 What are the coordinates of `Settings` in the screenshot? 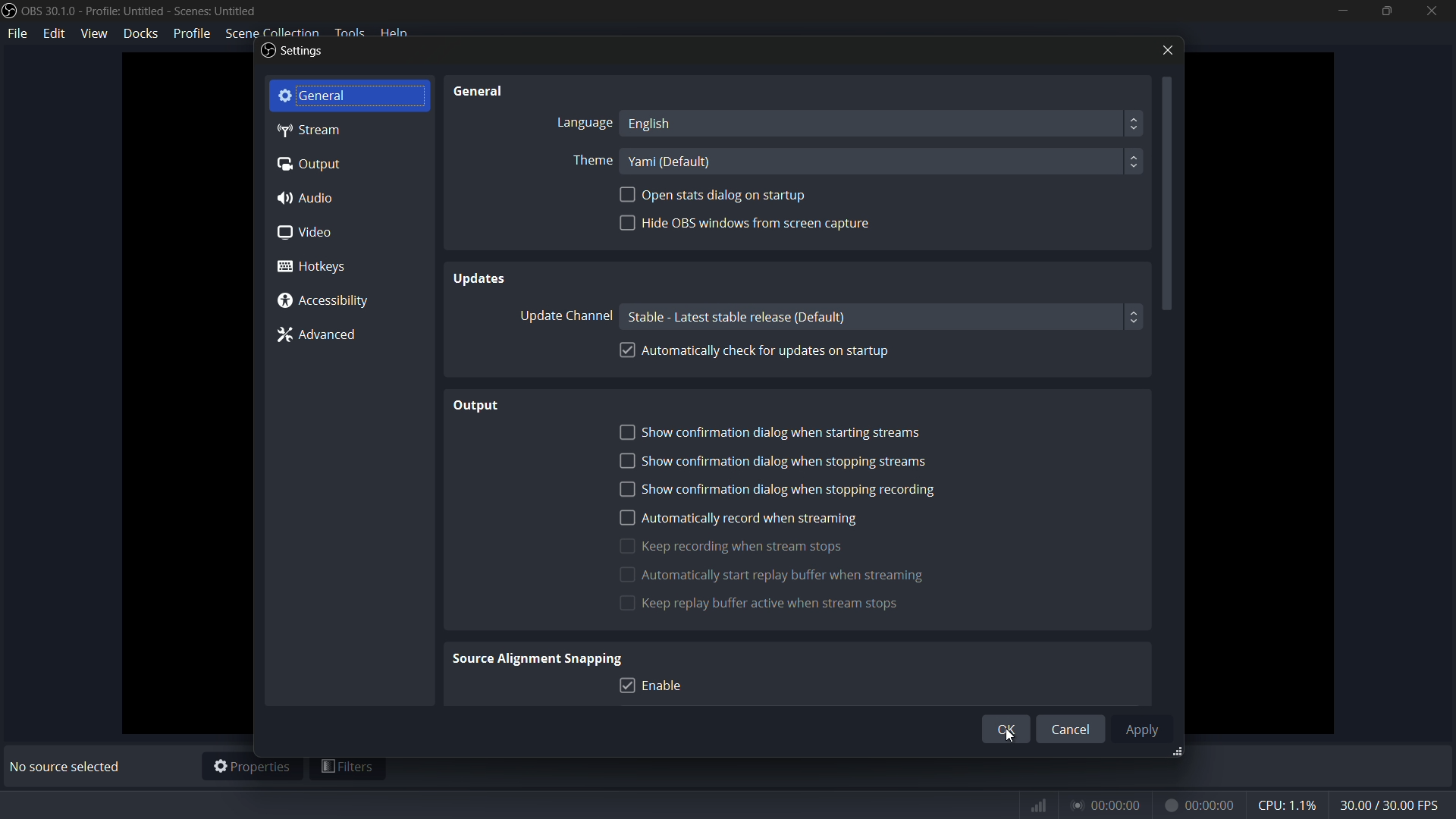 It's located at (292, 54).